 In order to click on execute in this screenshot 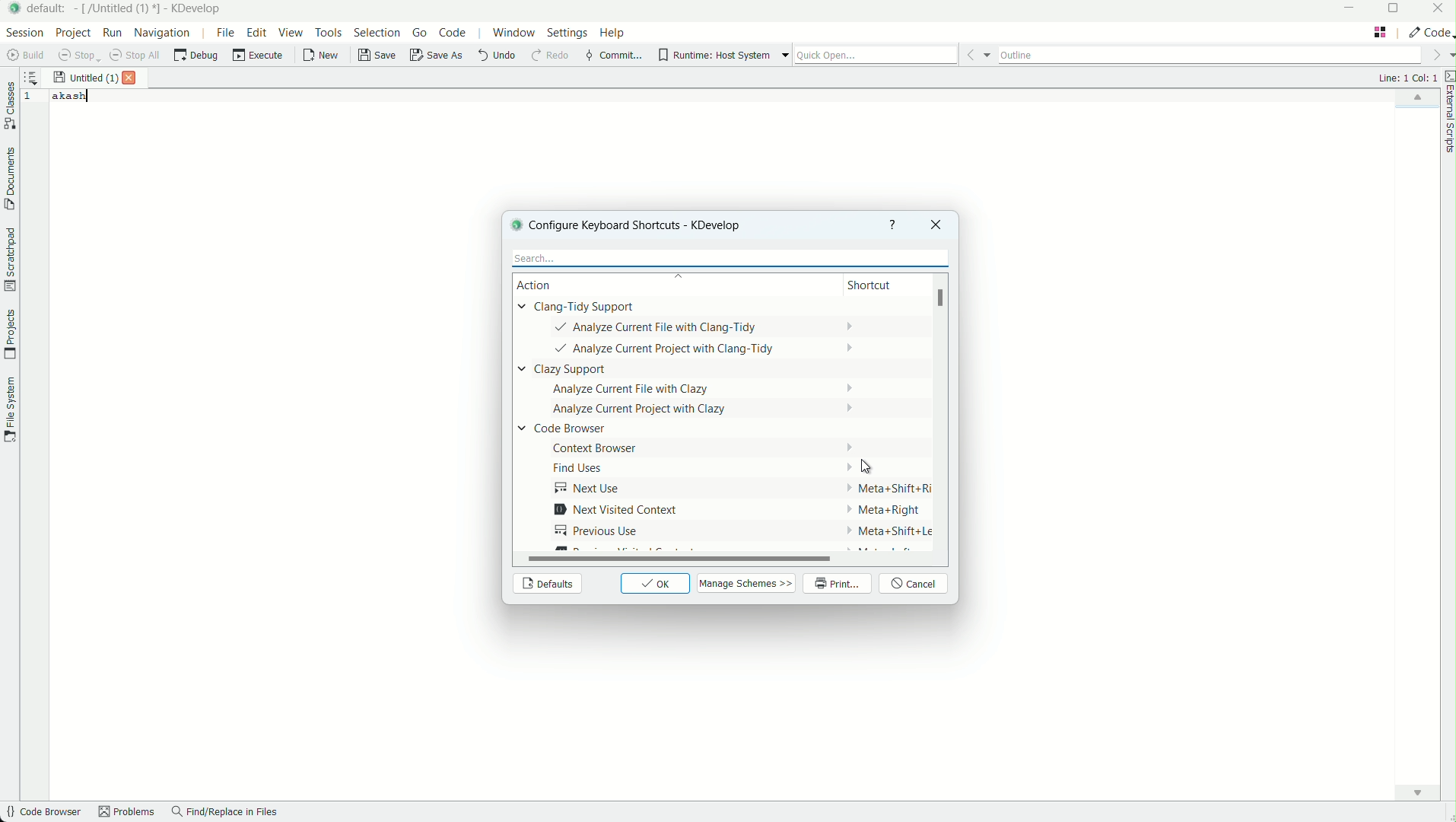, I will do `click(259, 56)`.